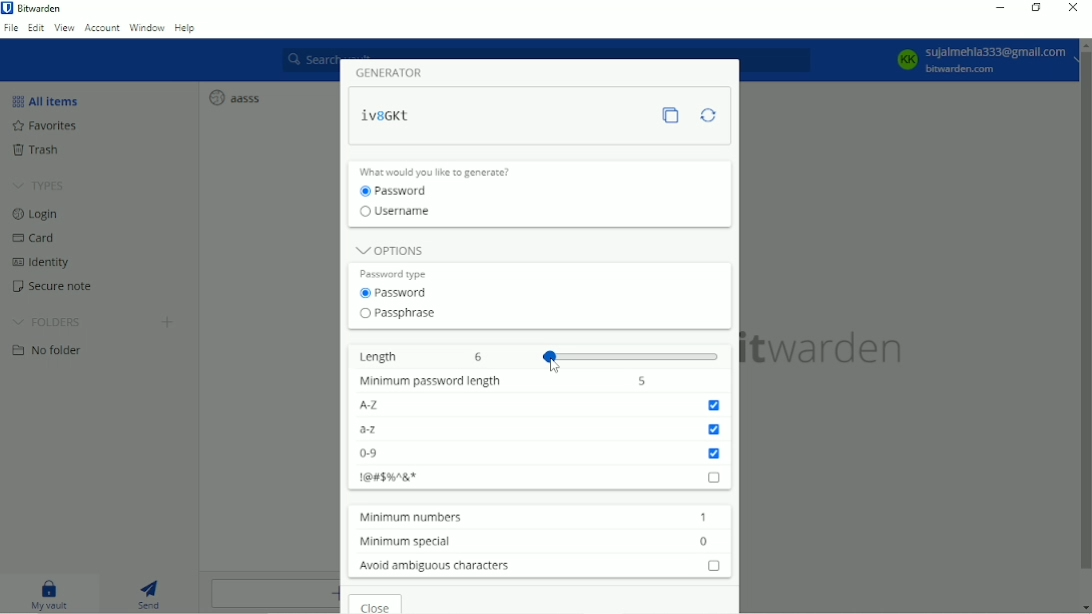 The height and width of the screenshot is (614, 1092). Describe the element at coordinates (1073, 8) in the screenshot. I see `Close` at that location.